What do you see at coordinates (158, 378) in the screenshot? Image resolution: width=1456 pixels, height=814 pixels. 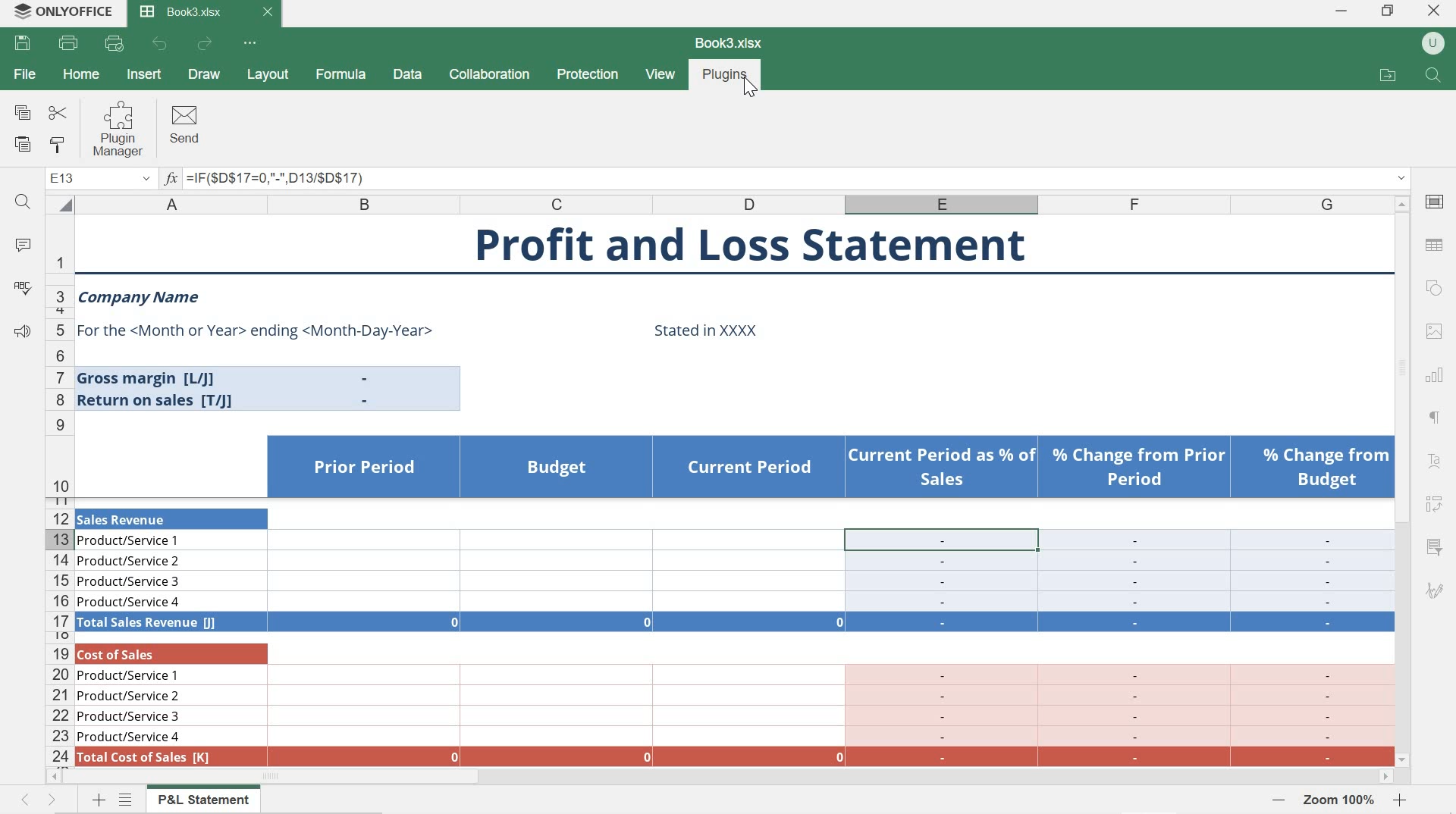 I see `Gross margin [L/)]` at bounding box center [158, 378].